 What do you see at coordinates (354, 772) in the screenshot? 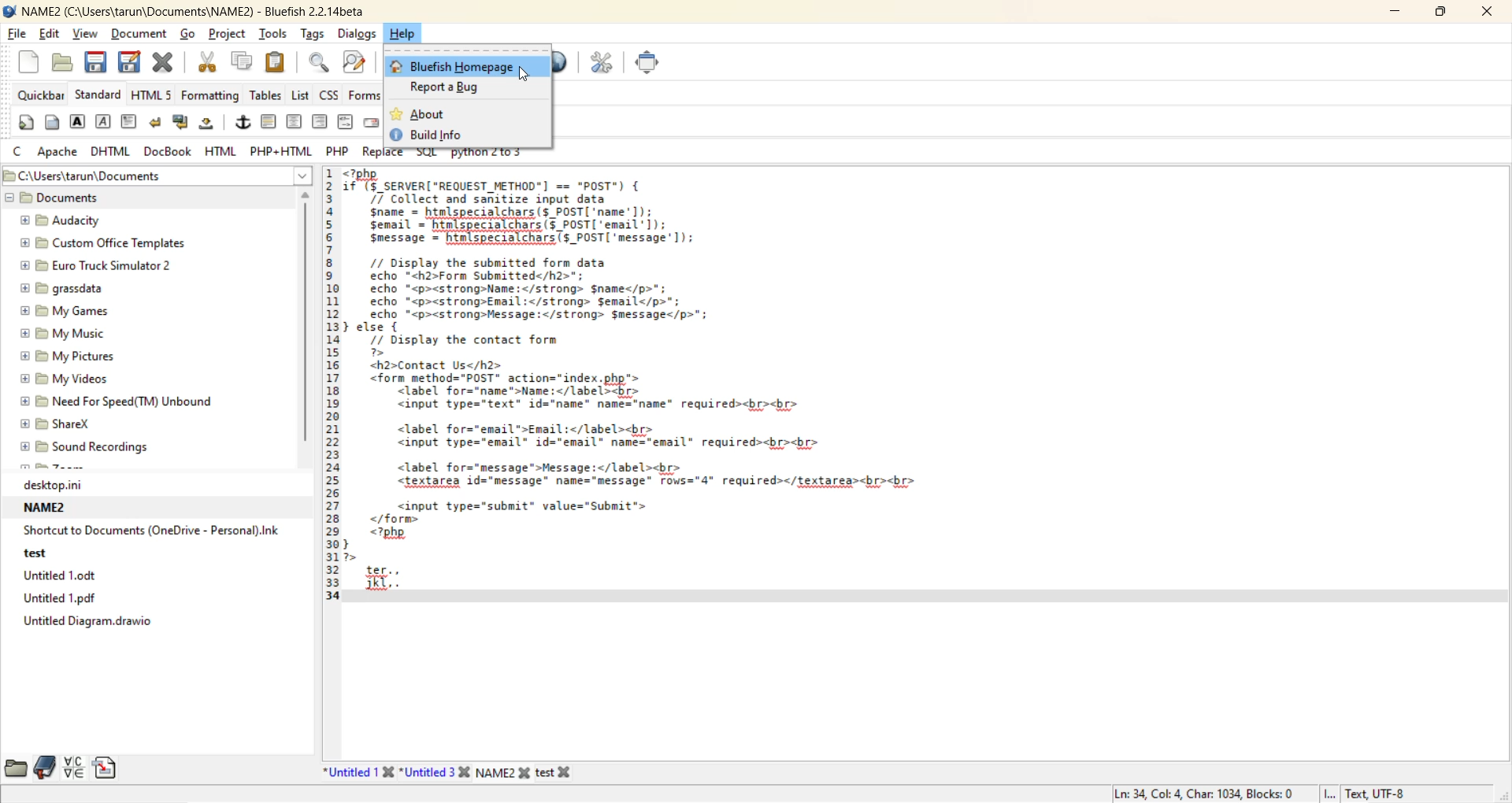
I see `Untitled 138` at bounding box center [354, 772].